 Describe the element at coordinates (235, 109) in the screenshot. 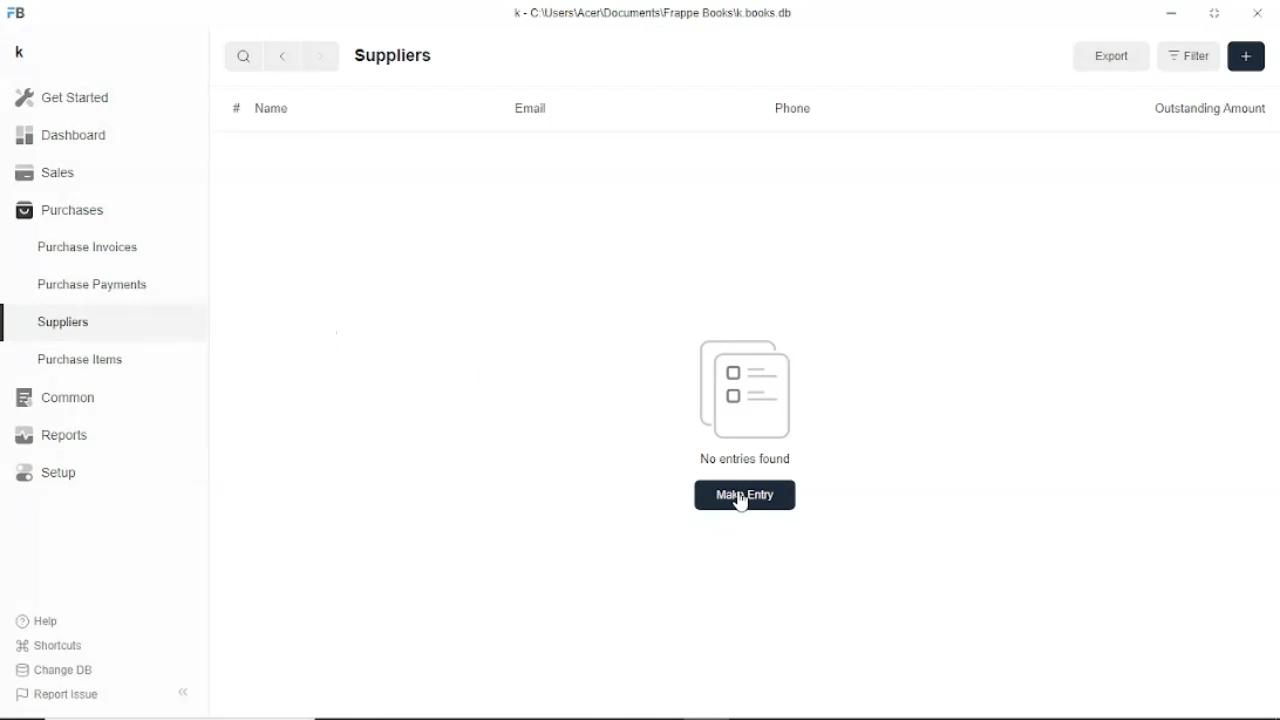

I see `#` at that location.